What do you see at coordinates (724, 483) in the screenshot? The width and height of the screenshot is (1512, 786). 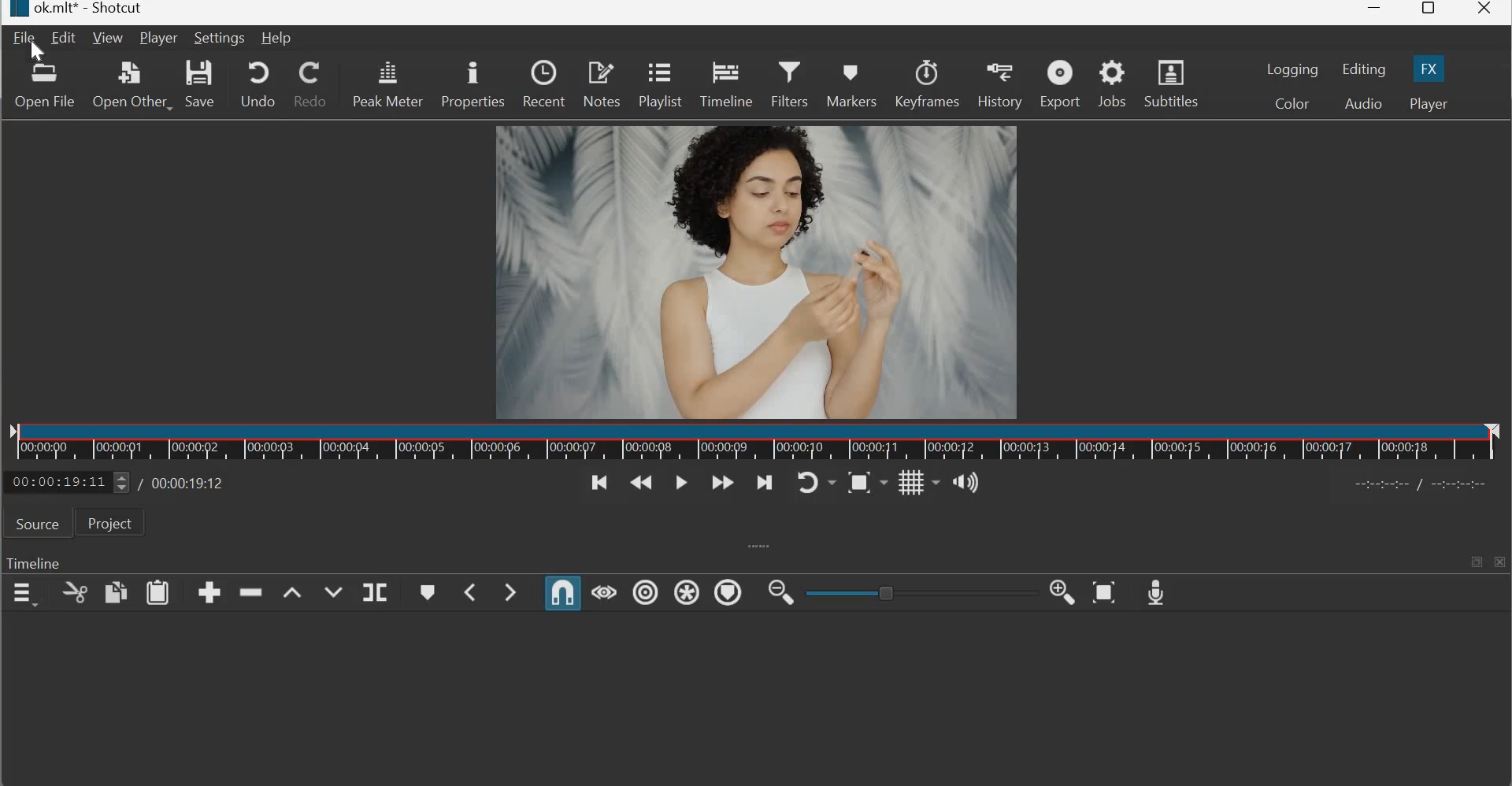 I see `Play quickly forwards` at bounding box center [724, 483].